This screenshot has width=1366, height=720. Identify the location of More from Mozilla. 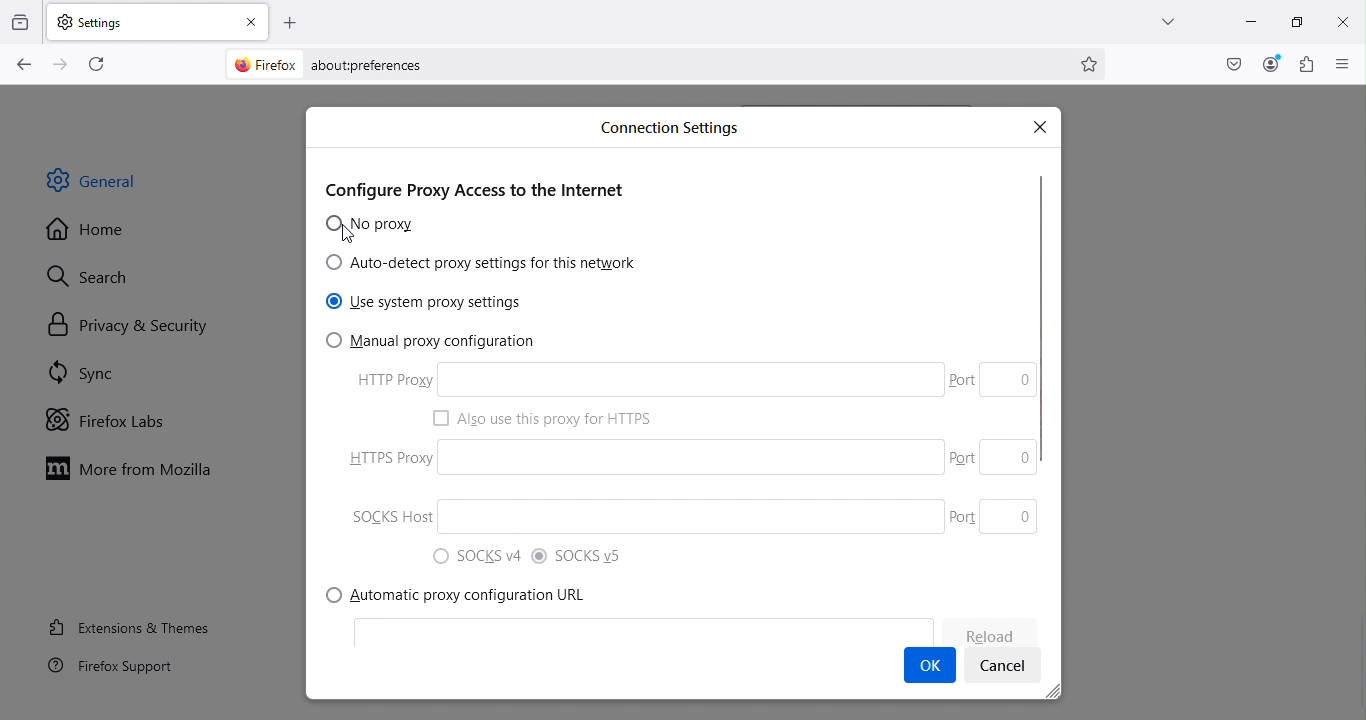
(135, 473).